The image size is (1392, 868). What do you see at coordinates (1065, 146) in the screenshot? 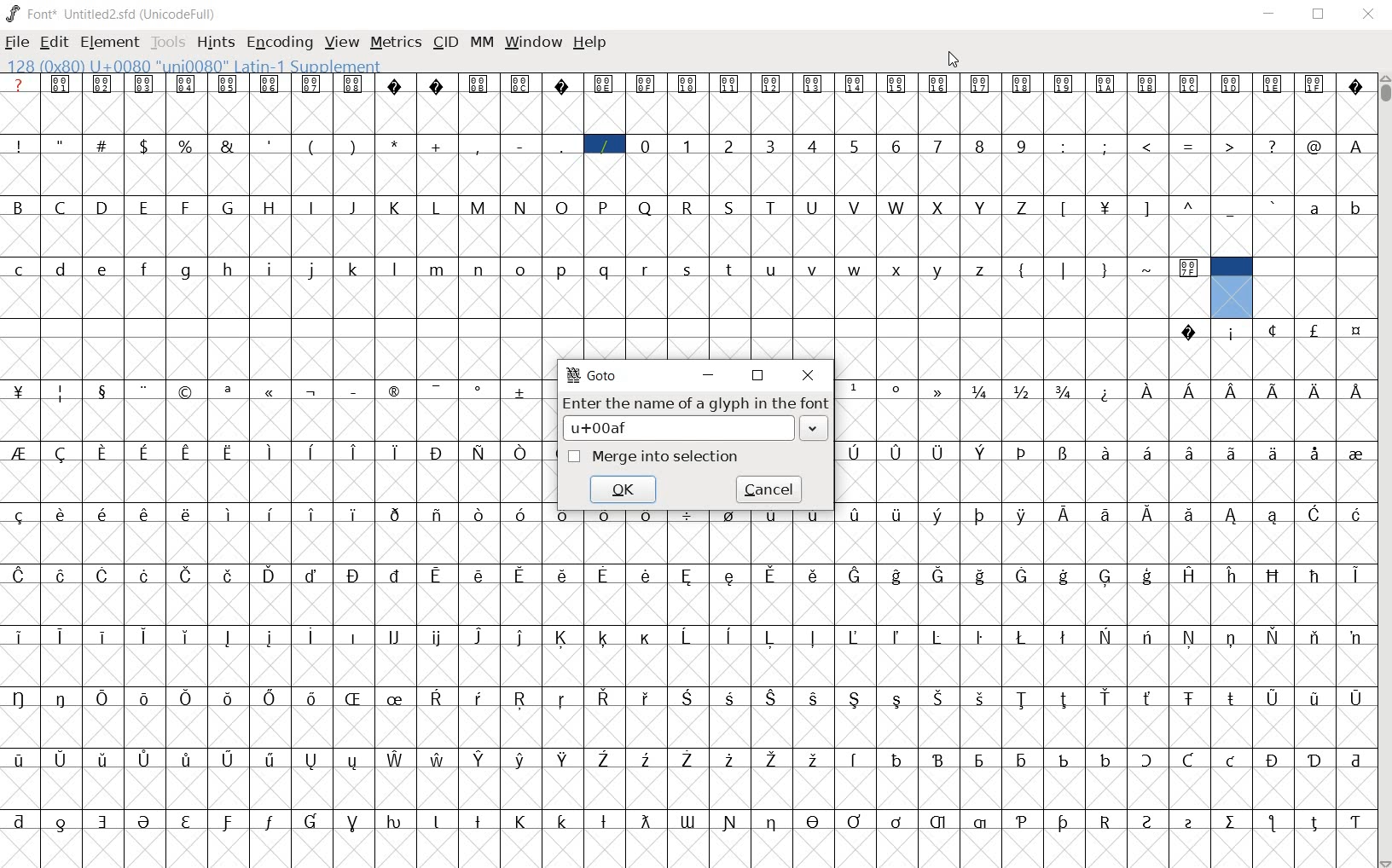
I see `:` at bounding box center [1065, 146].